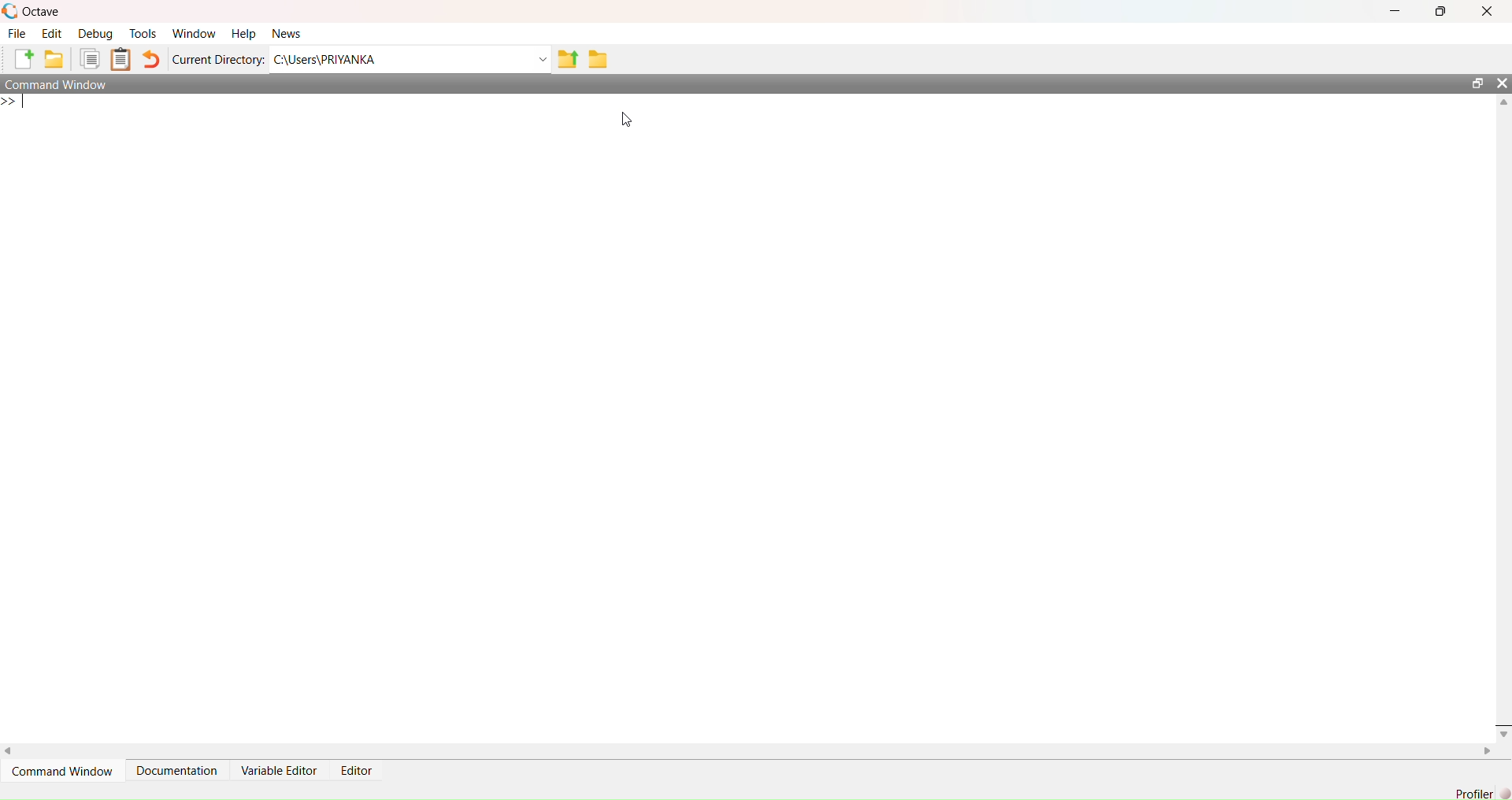 The height and width of the screenshot is (800, 1512). I want to click on Close, so click(1488, 12).